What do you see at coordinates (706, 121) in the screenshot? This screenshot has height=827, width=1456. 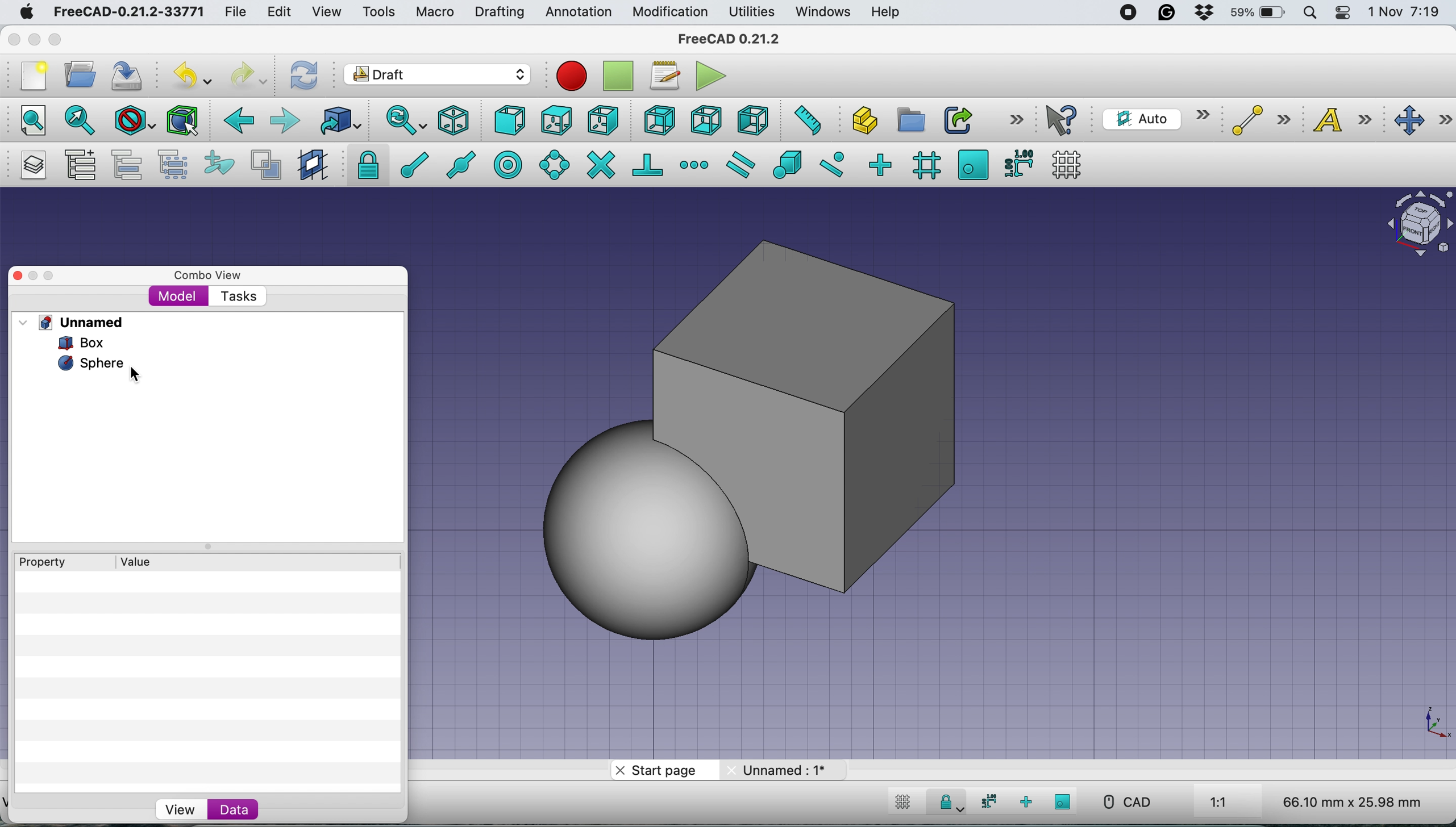 I see `bottom` at bounding box center [706, 121].